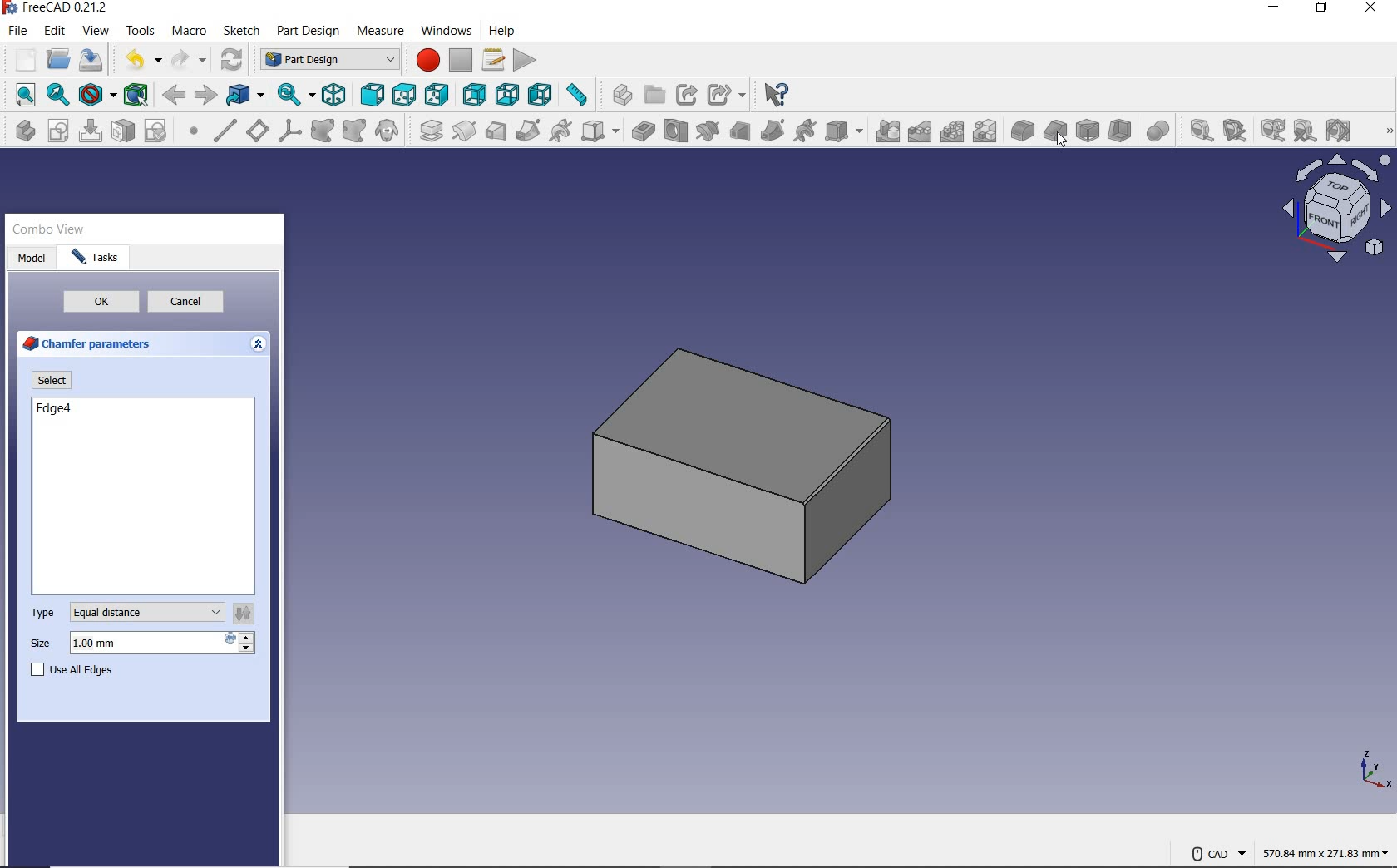 Image resolution: width=1397 pixels, height=868 pixels. Describe the element at coordinates (677, 131) in the screenshot. I see `hole` at that location.